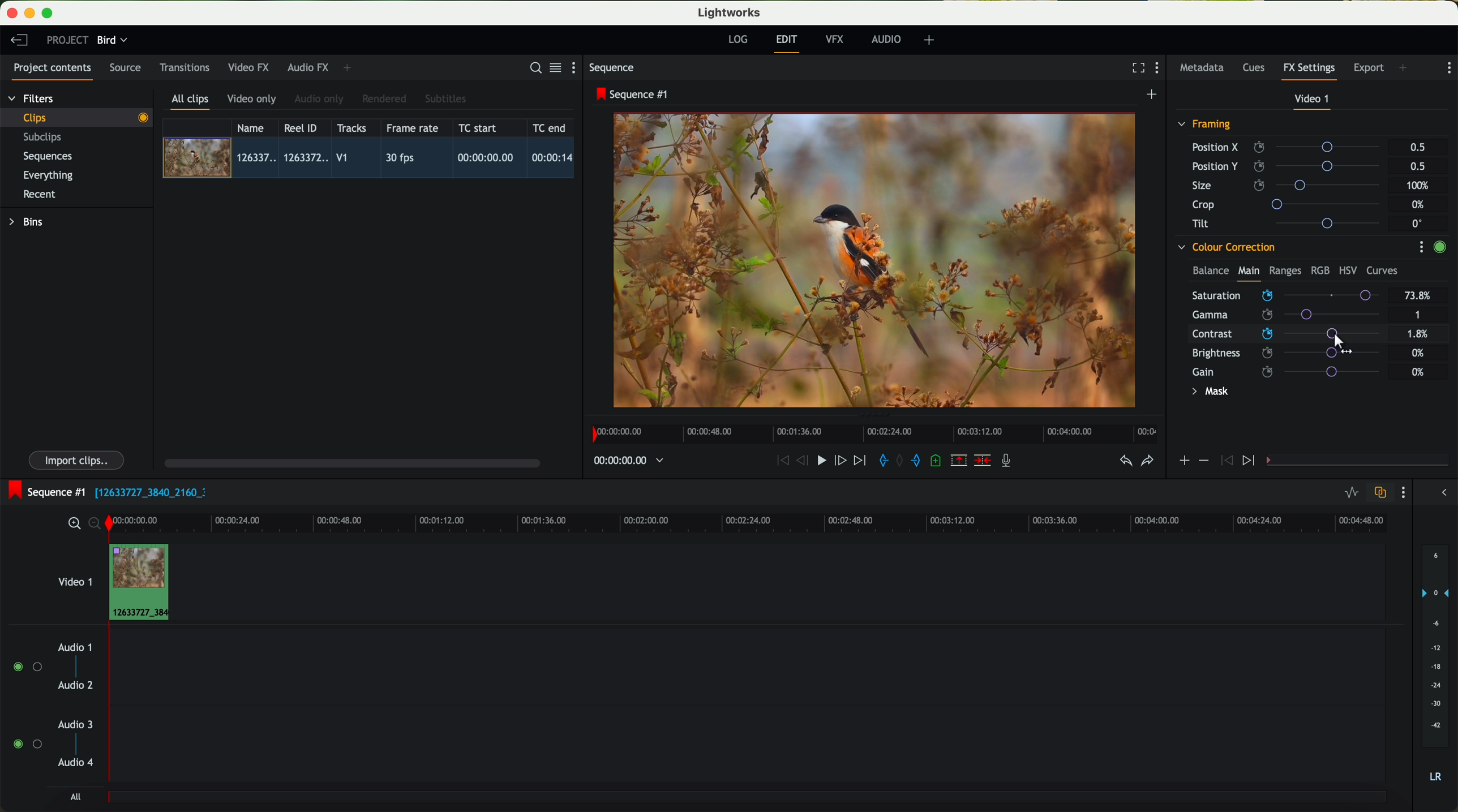 Image resolution: width=1458 pixels, height=812 pixels. I want to click on toggle audio levels editing, so click(1351, 494).